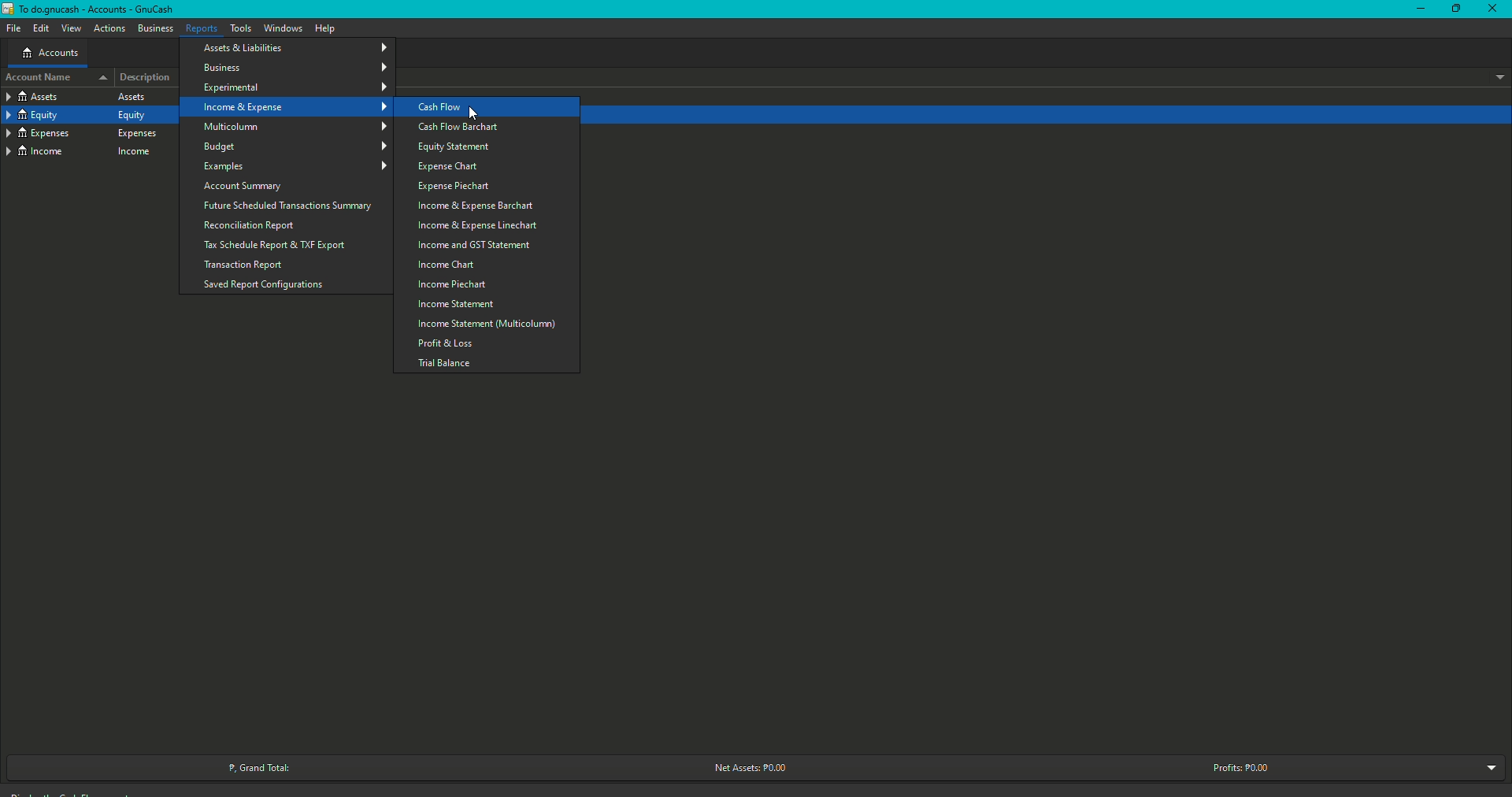  I want to click on Equity Statement, so click(457, 147).